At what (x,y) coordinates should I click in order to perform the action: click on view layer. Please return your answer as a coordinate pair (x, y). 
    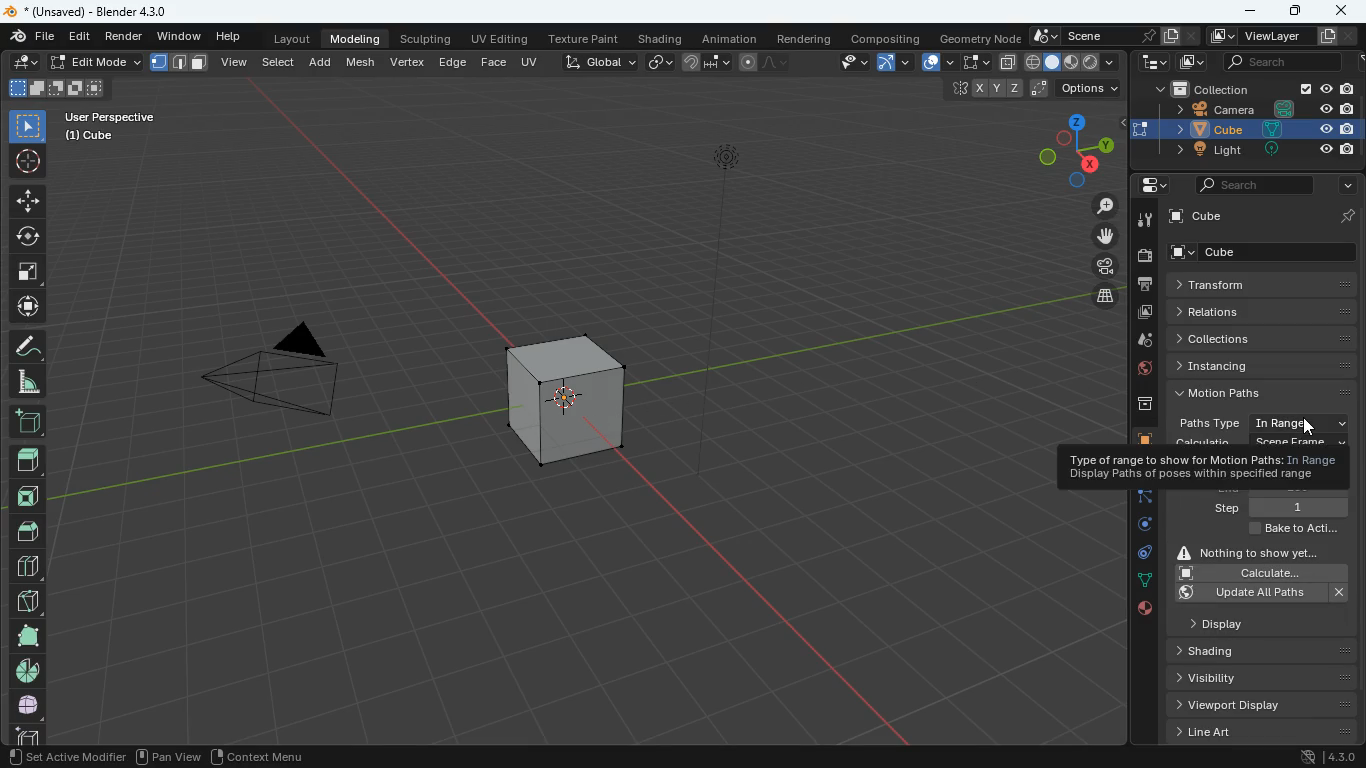
    Looking at the image, I should click on (1285, 36).